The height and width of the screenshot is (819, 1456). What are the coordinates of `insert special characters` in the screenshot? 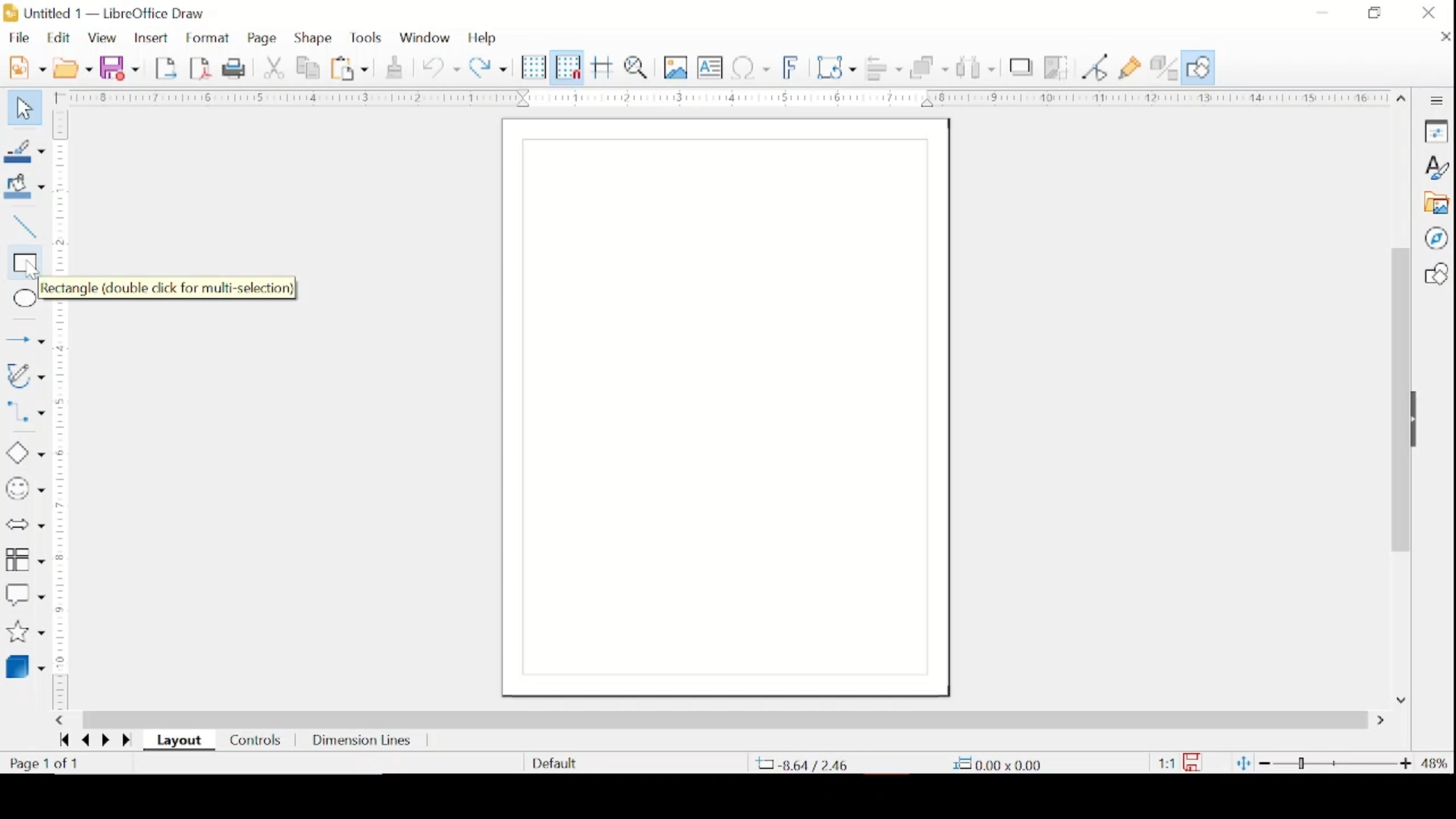 It's located at (751, 67).